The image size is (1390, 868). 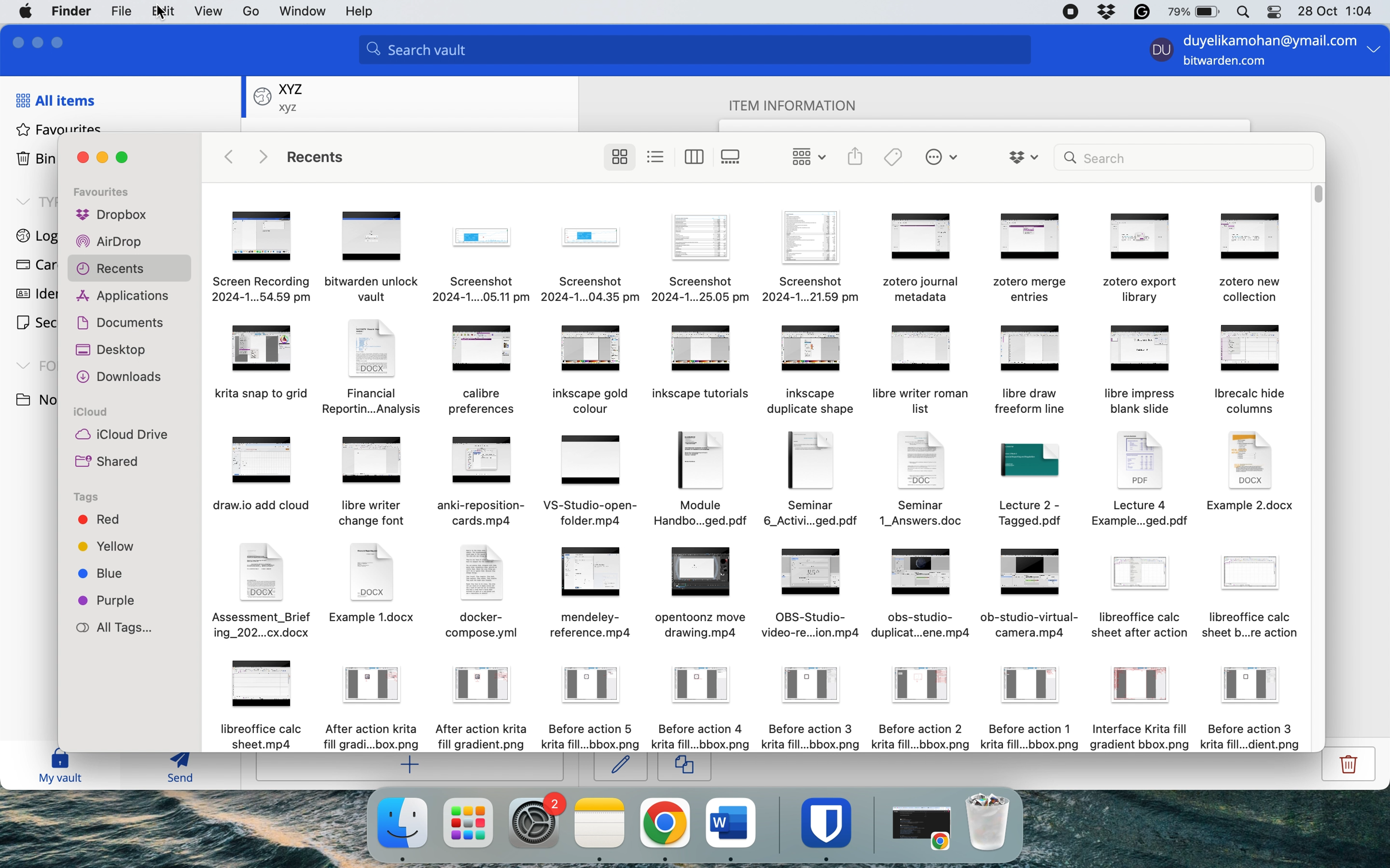 What do you see at coordinates (1024, 156) in the screenshot?
I see `dropbox options` at bounding box center [1024, 156].